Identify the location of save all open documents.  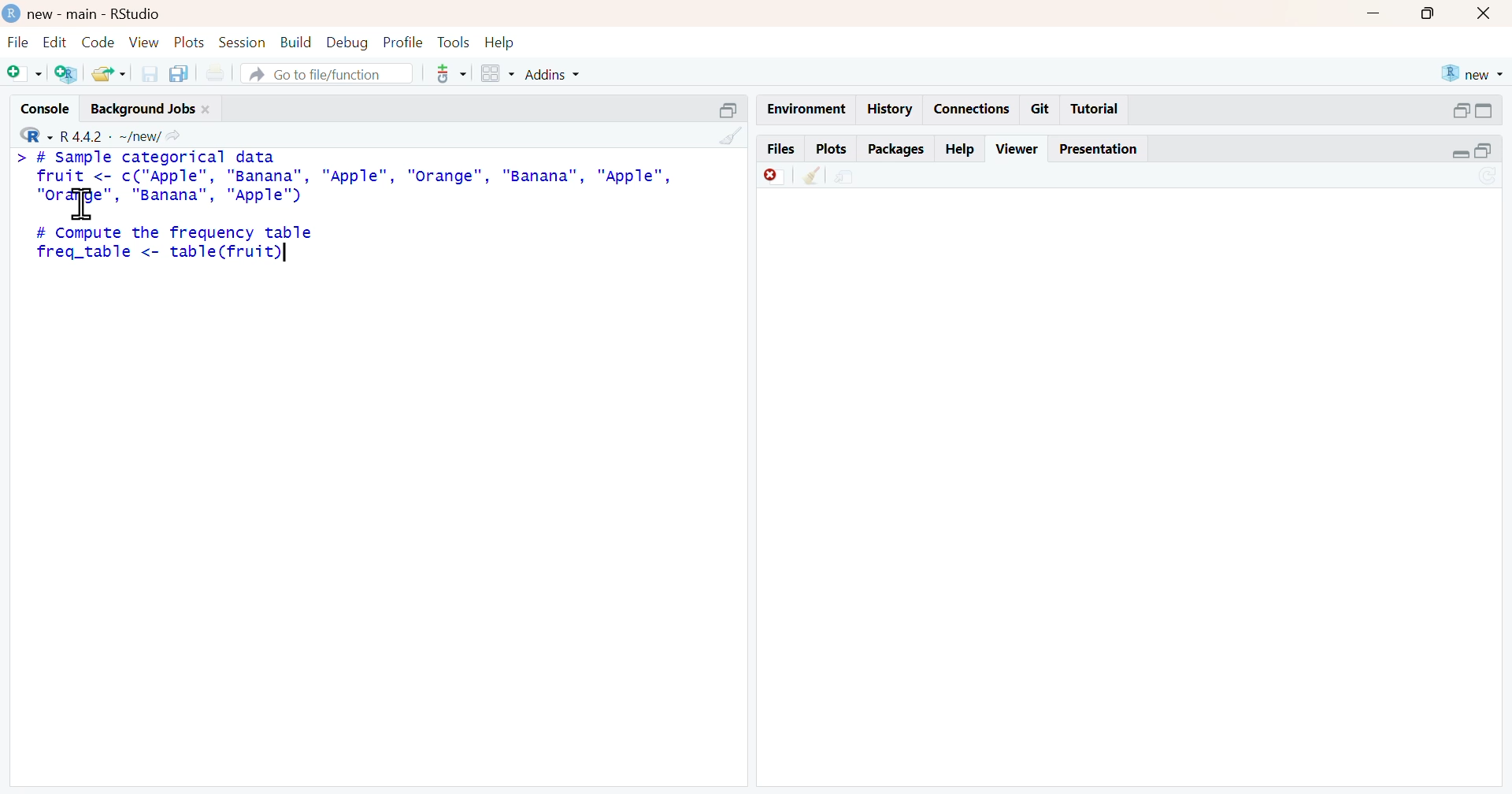
(181, 74).